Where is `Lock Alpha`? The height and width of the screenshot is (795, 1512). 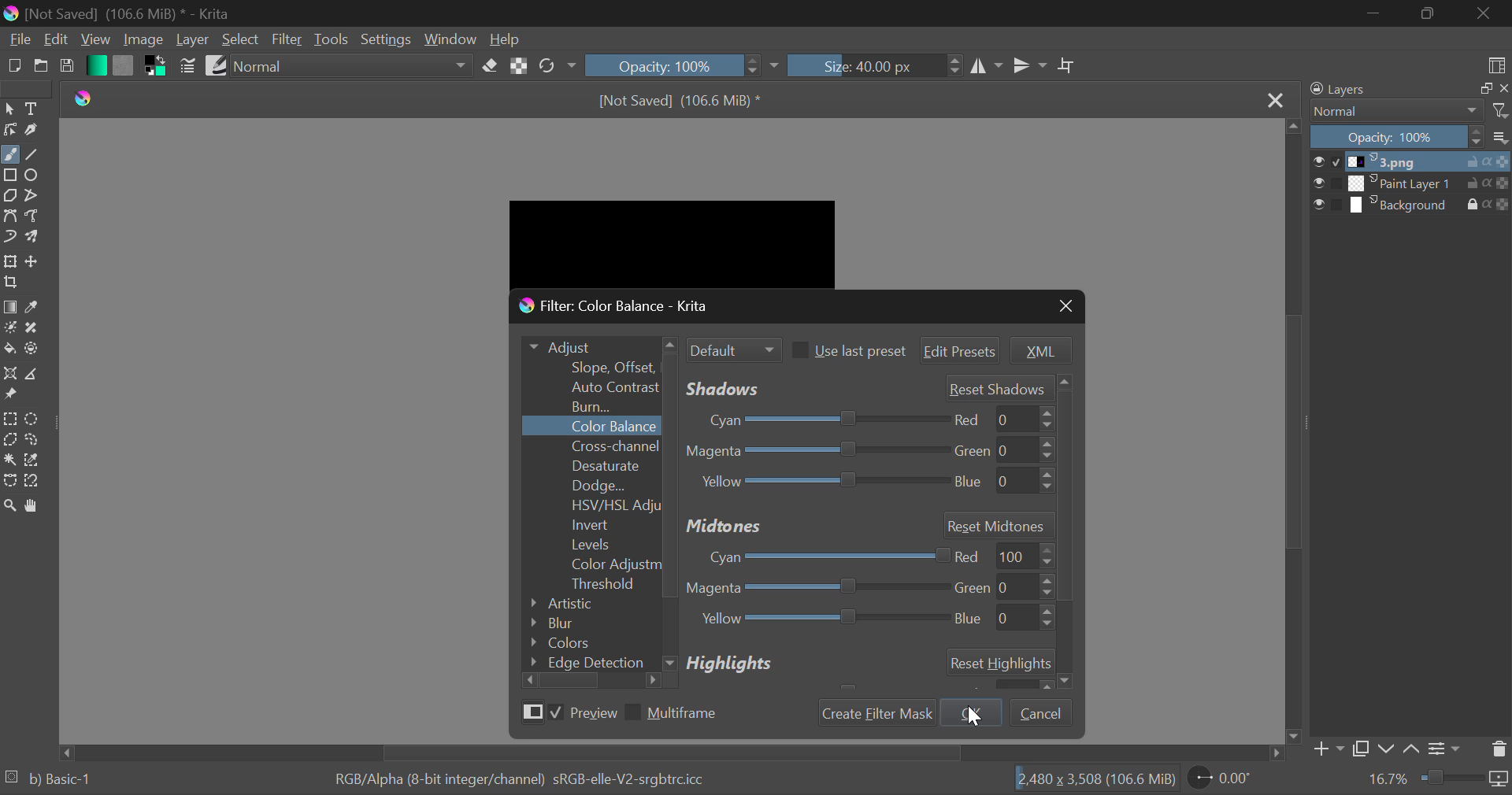
Lock Alpha is located at coordinates (519, 66).